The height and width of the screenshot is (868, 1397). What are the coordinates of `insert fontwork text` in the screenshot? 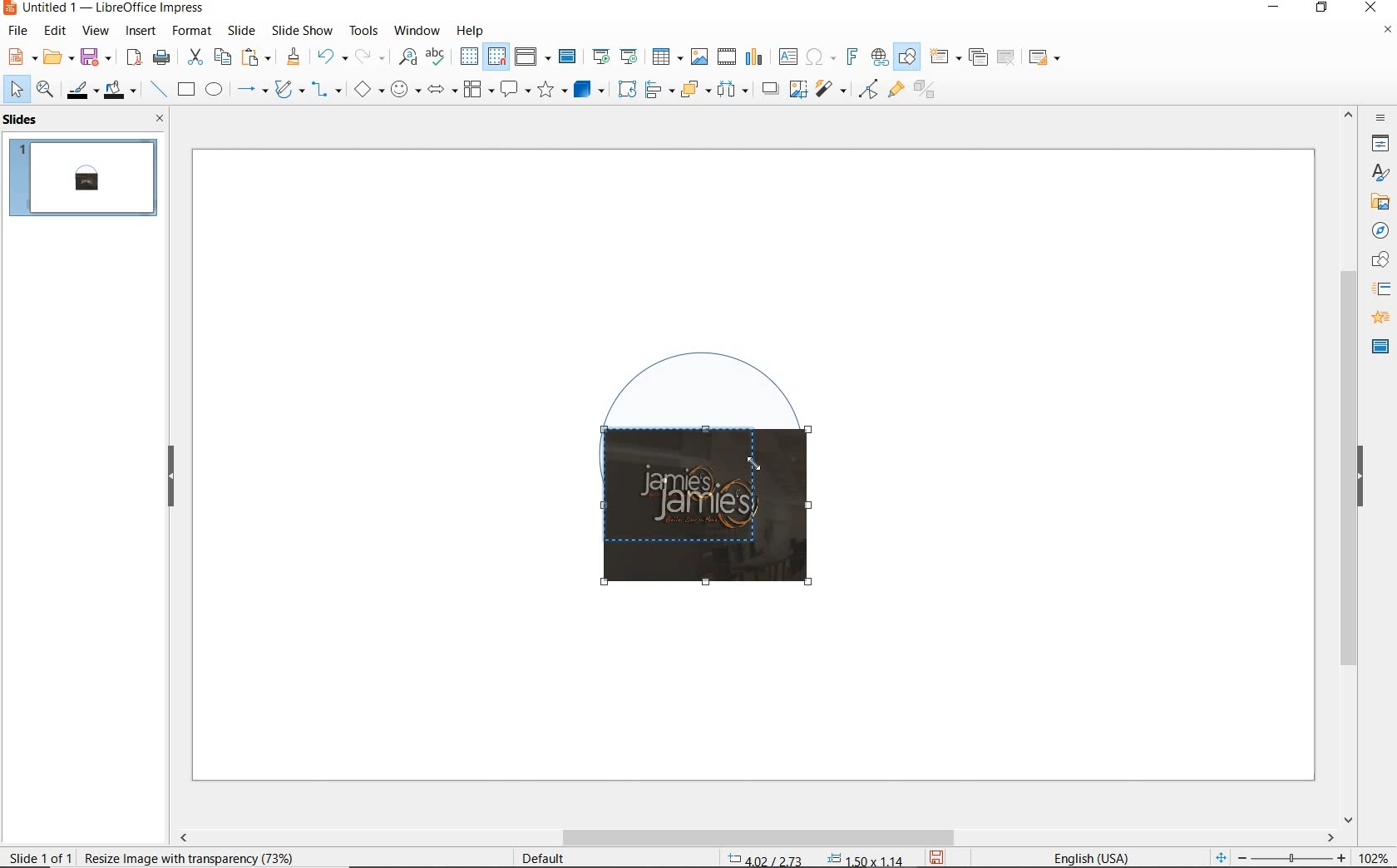 It's located at (850, 57).